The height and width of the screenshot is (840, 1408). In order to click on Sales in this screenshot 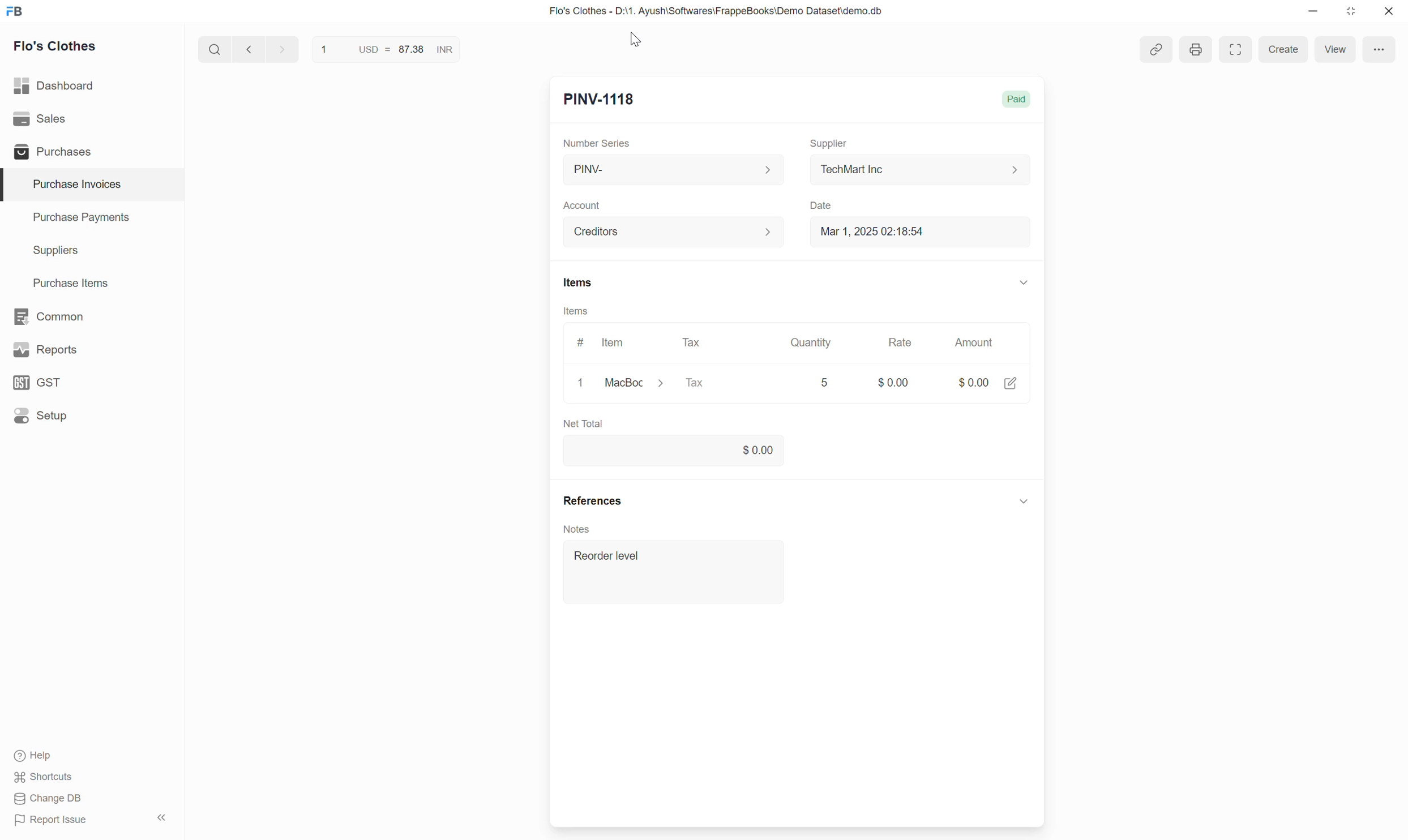, I will do `click(92, 119)`.